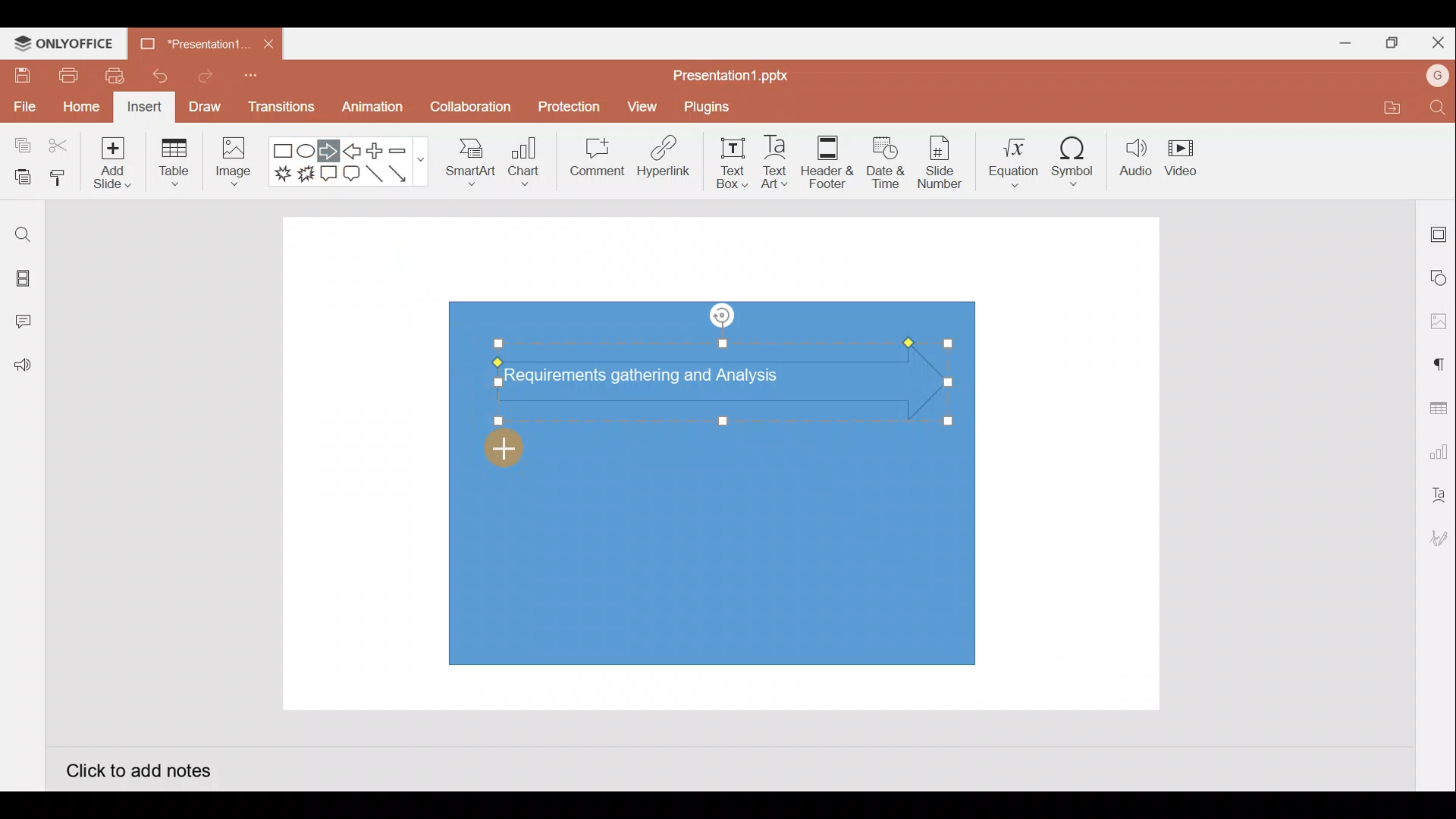 The width and height of the screenshot is (1456, 819). Describe the element at coordinates (469, 159) in the screenshot. I see `SmartArt` at that location.